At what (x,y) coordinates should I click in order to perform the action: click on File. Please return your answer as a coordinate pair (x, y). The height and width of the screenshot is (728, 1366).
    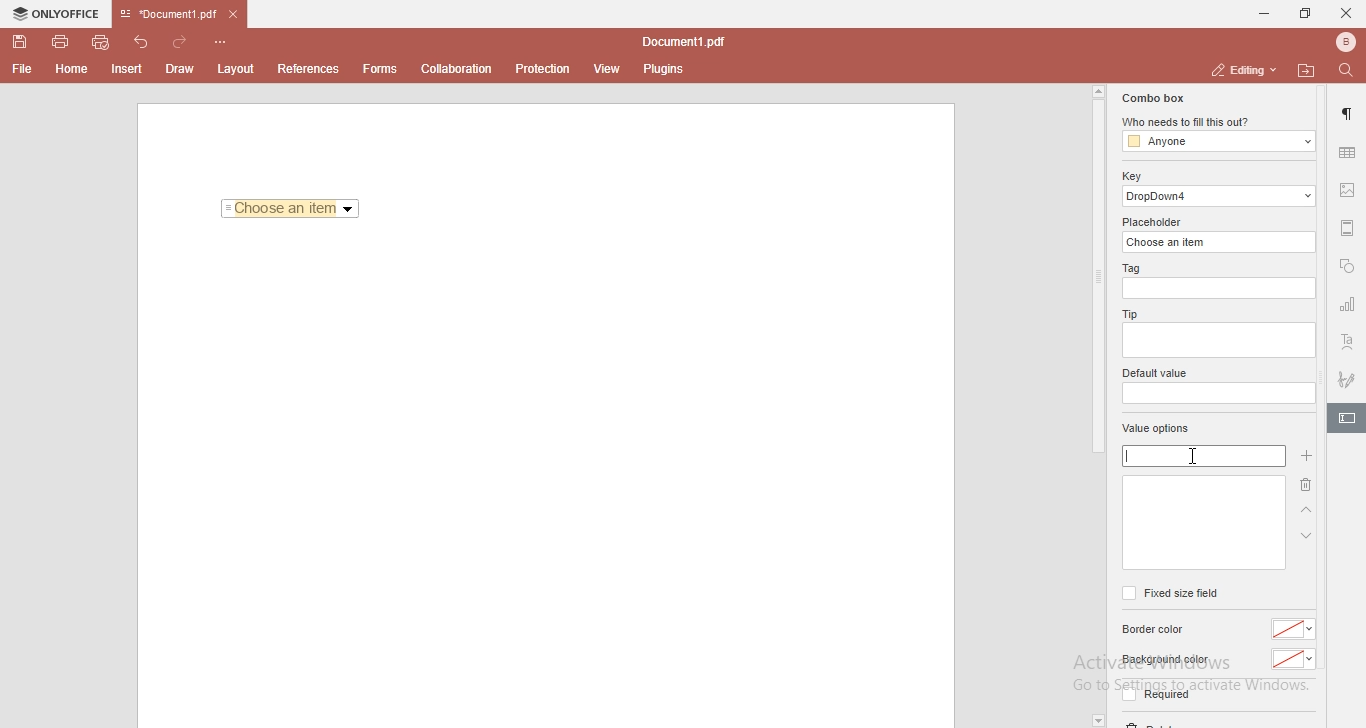
    Looking at the image, I should click on (20, 69).